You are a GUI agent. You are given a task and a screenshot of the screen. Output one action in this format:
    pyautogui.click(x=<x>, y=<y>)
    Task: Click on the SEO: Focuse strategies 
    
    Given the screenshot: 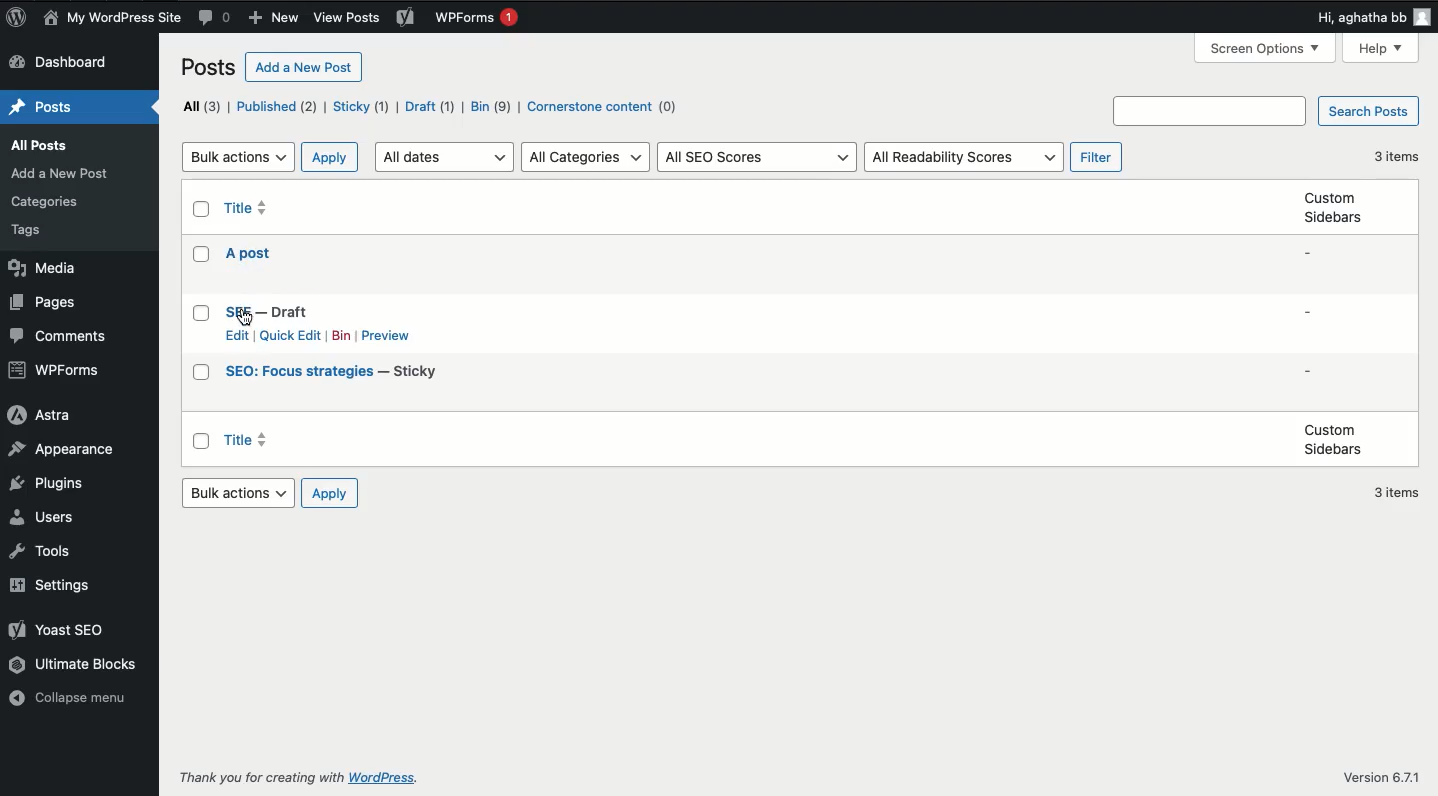 What is the action you would take?
    pyautogui.click(x=335, y=372)
    